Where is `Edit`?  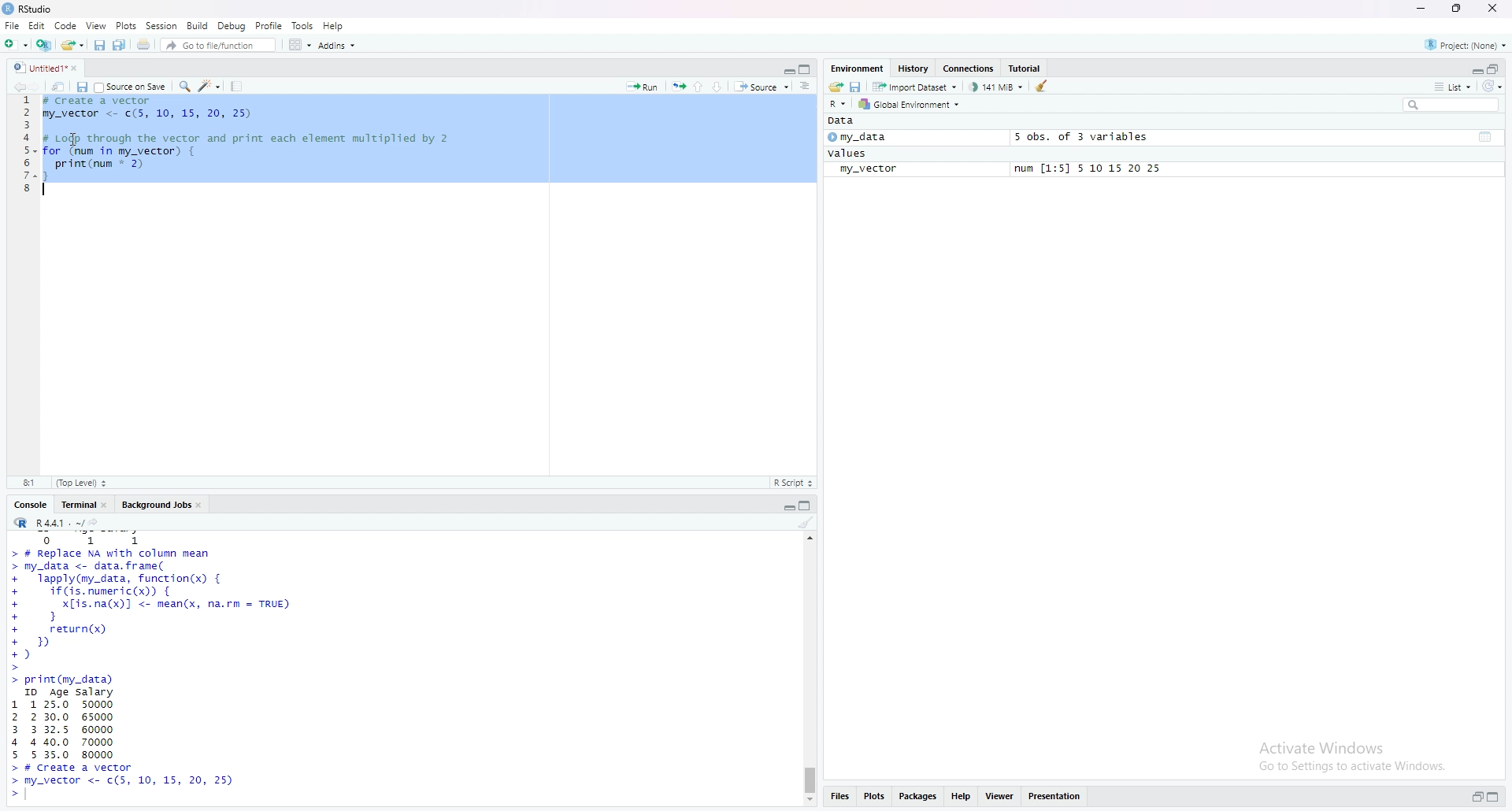
Edit is located at coordinates (36, 26).